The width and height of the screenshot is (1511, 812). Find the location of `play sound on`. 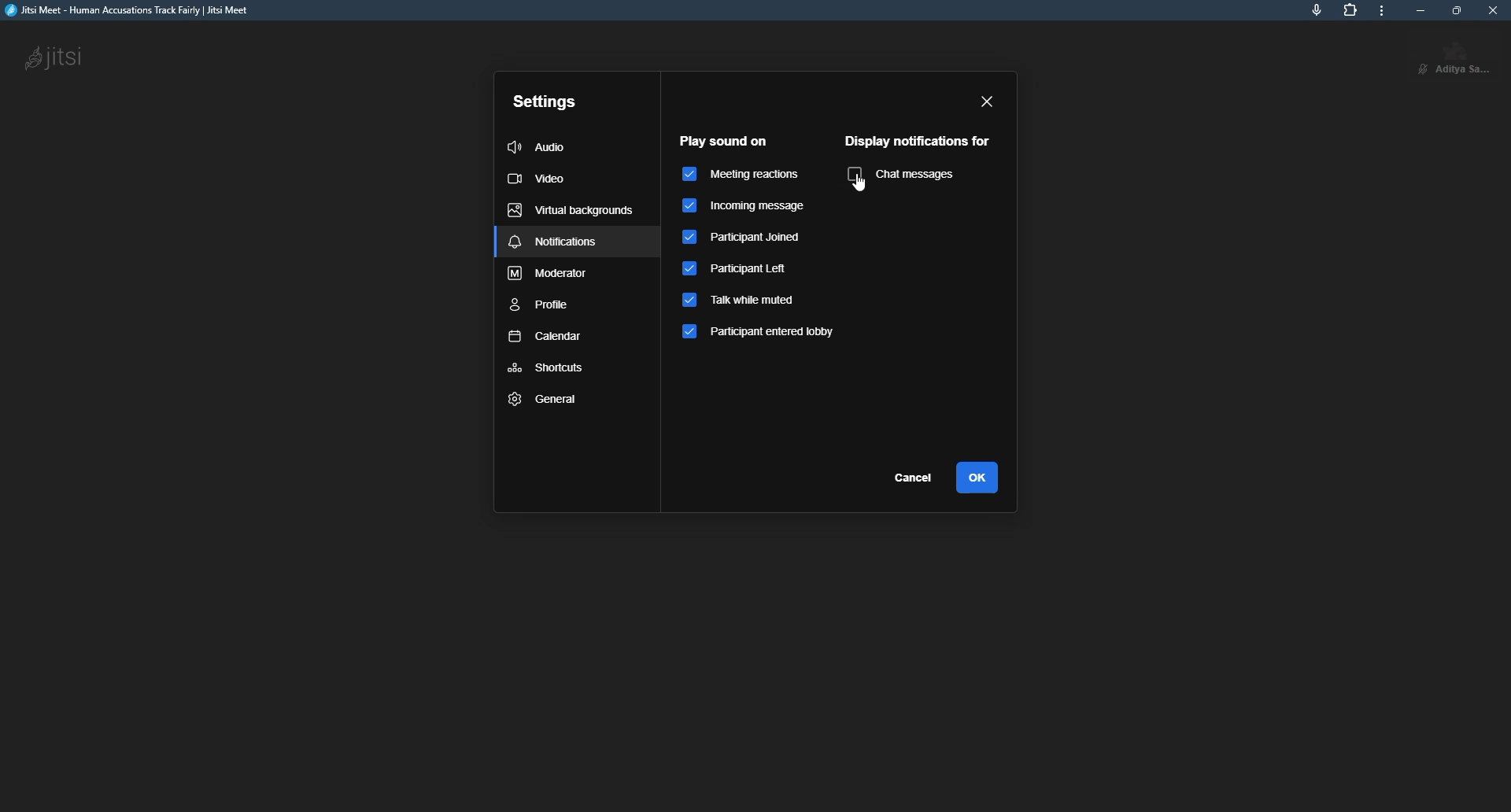

play sound on is located at coordinates (723, 140).